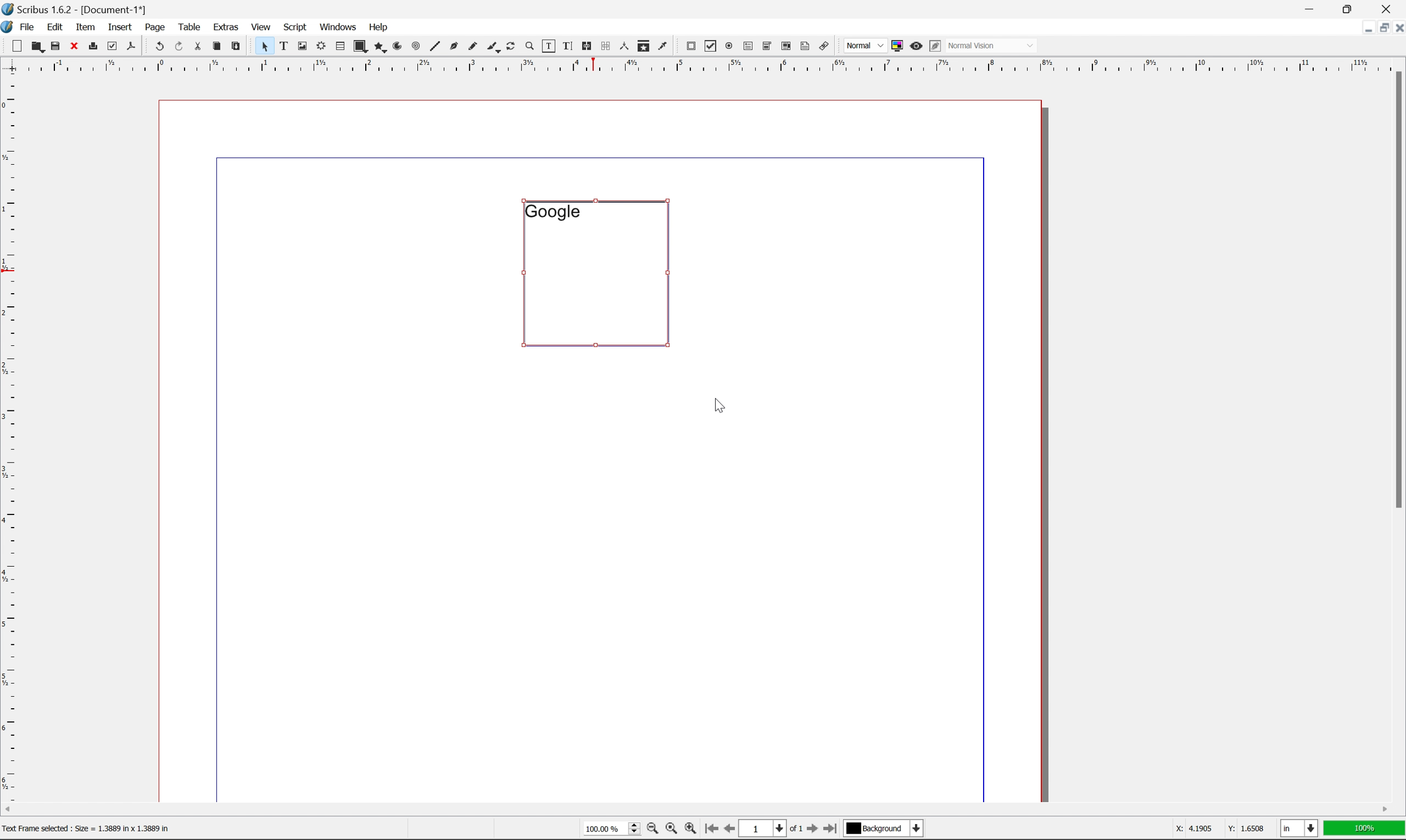 This screenshot has height=840, width=1406. Describe the element at coordinates (28, 27) in the screenshot. I see `file` at that location.